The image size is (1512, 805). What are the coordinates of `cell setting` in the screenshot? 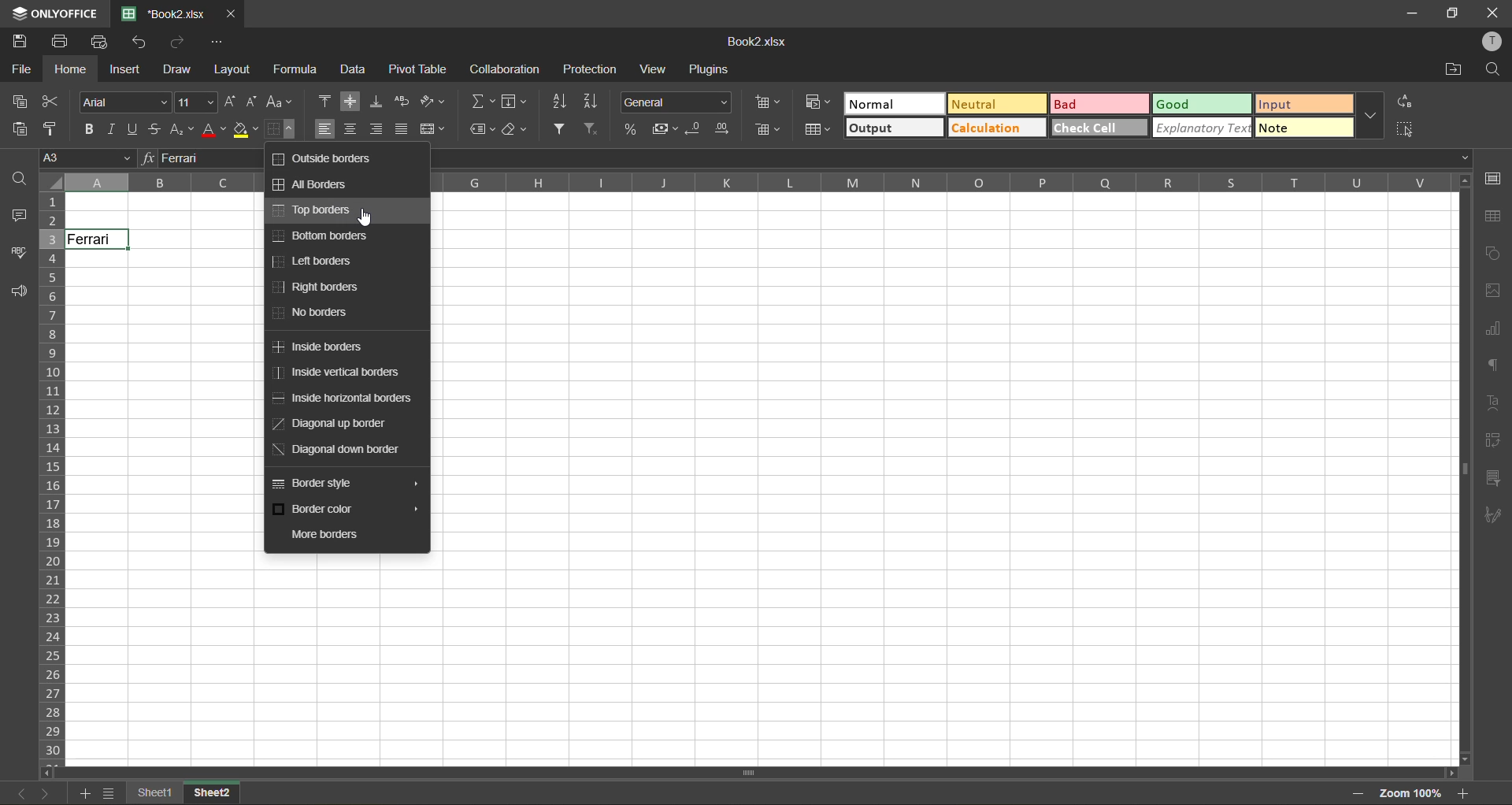 It's located at (1495, 180).